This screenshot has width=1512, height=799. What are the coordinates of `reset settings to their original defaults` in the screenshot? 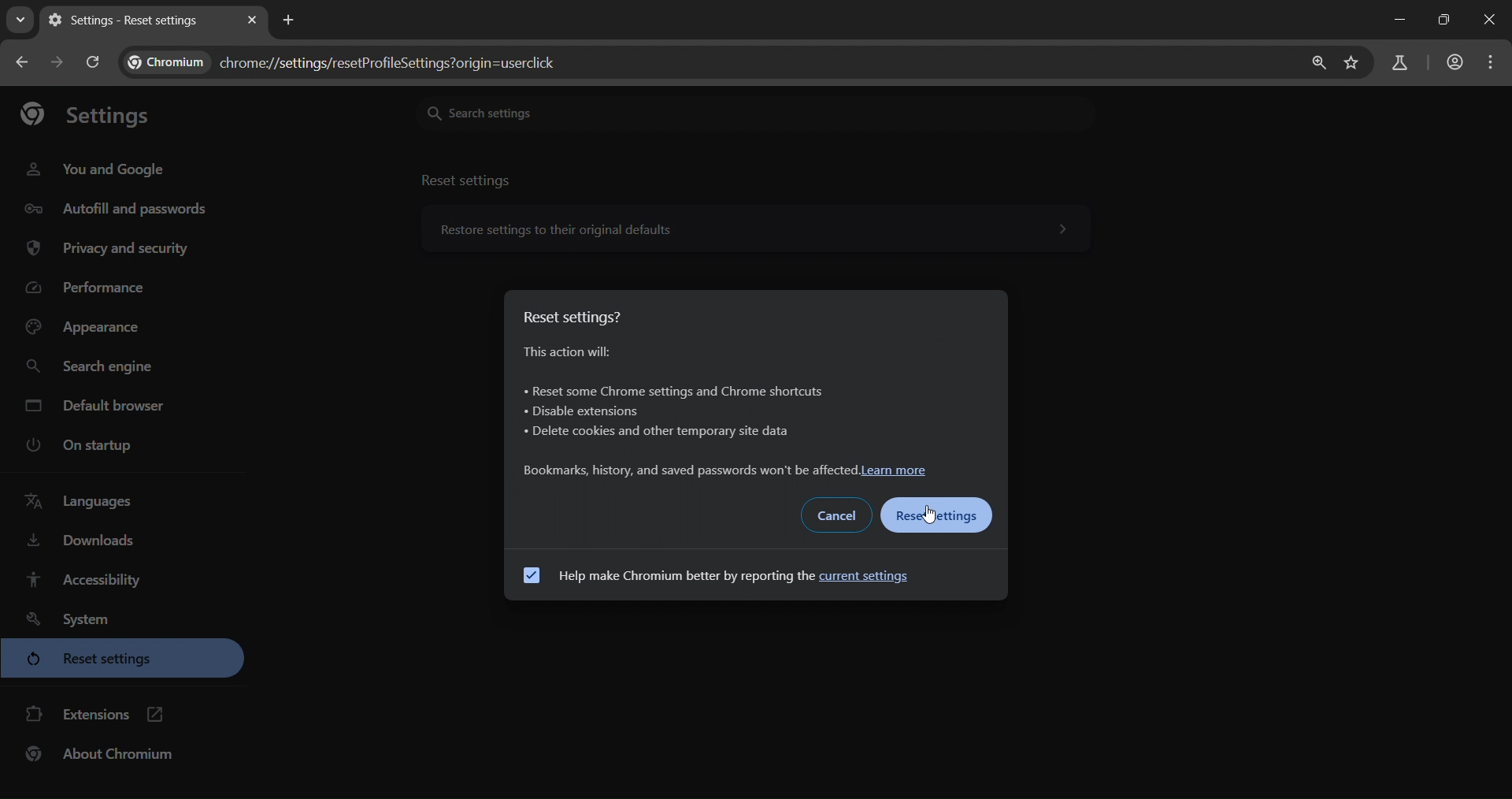 It's located at (759, 230).